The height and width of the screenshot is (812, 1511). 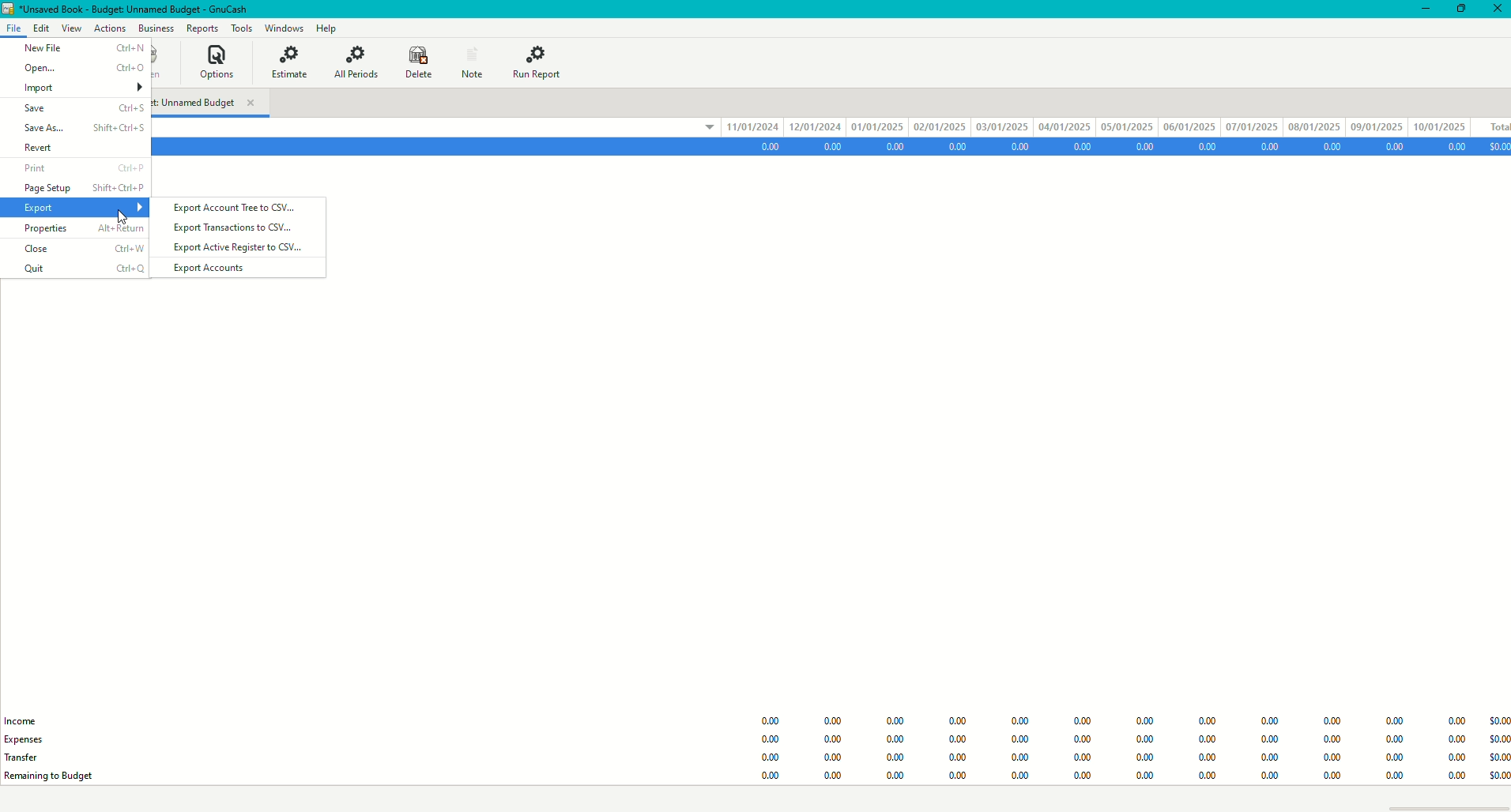 I want to click on total, so click(x=1494, y=124).